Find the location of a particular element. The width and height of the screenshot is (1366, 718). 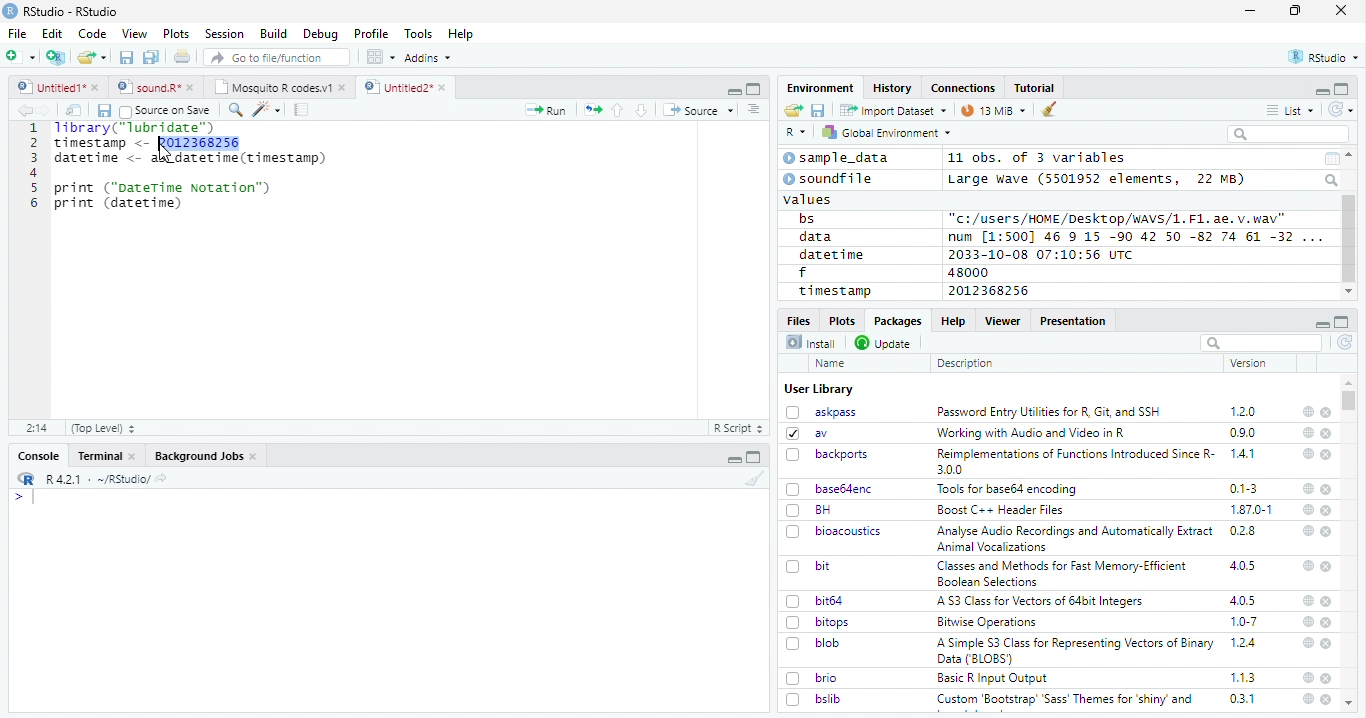

Session is located at coordinates (223, 34).